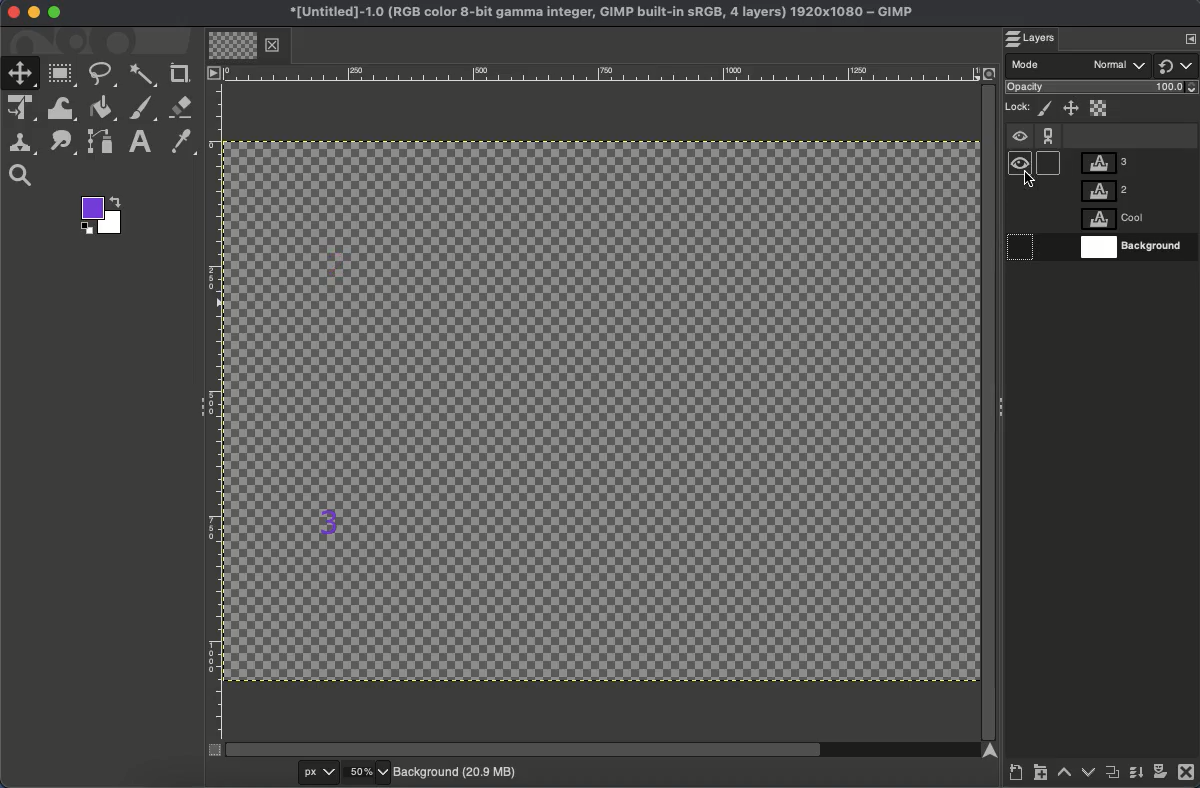  What do you see at coordinates (104, 217) in the screenshot?
I see `Colors` at bounding box center [104, 217].